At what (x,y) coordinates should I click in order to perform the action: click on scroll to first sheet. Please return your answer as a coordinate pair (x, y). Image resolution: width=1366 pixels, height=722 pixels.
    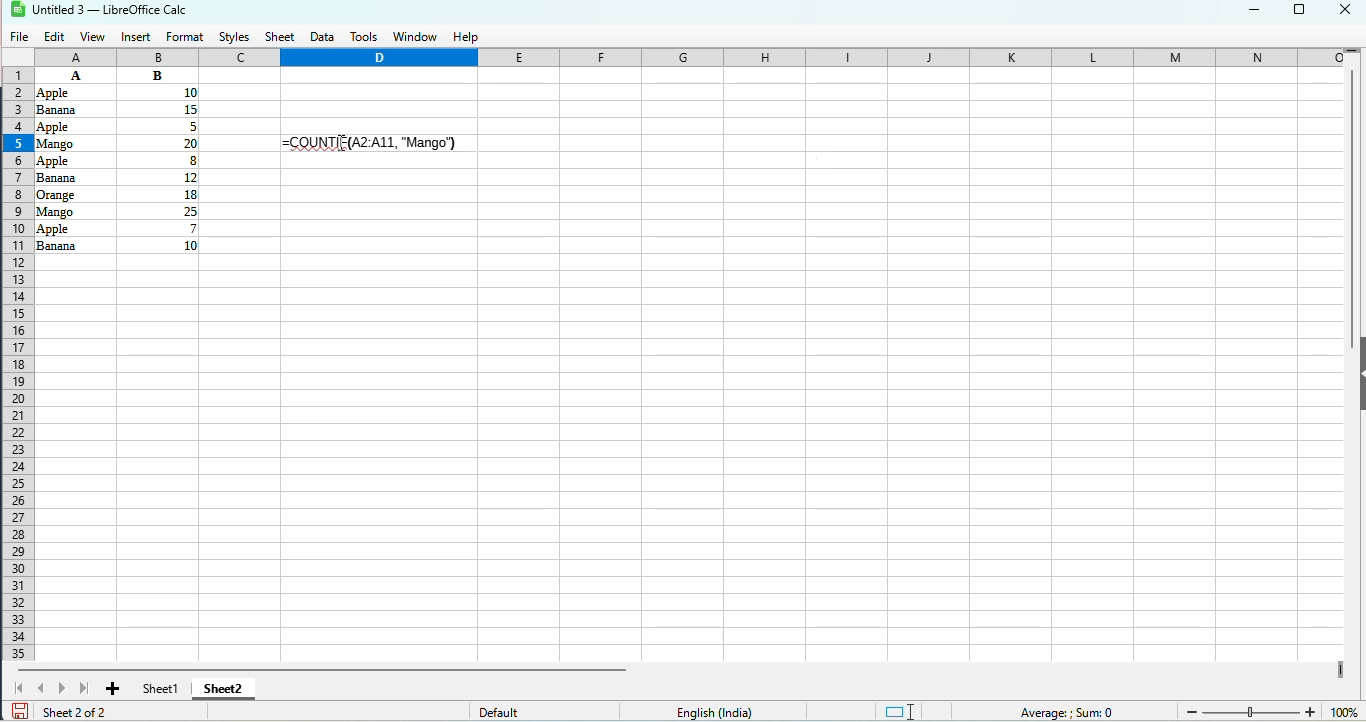
    Looking at the image, I should click on (18, 687).